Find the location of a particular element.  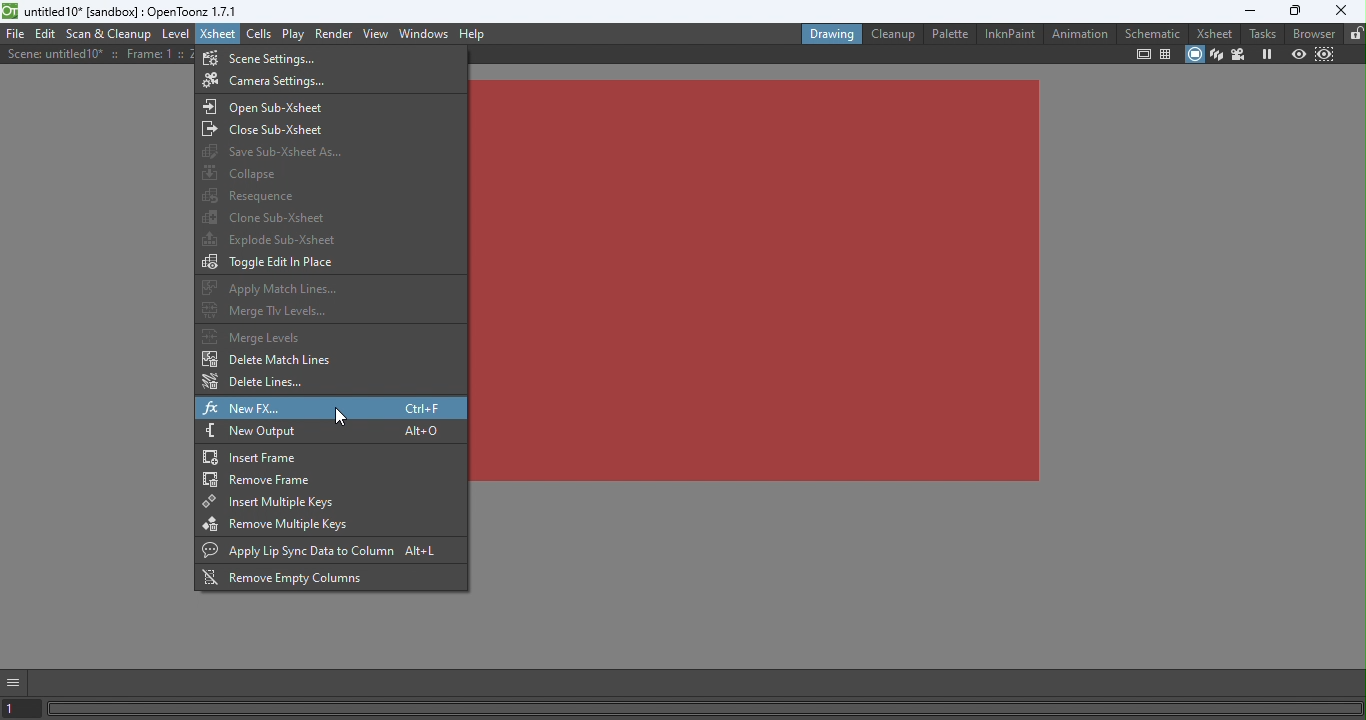

Tasks is located at coordinates (1258, 34).